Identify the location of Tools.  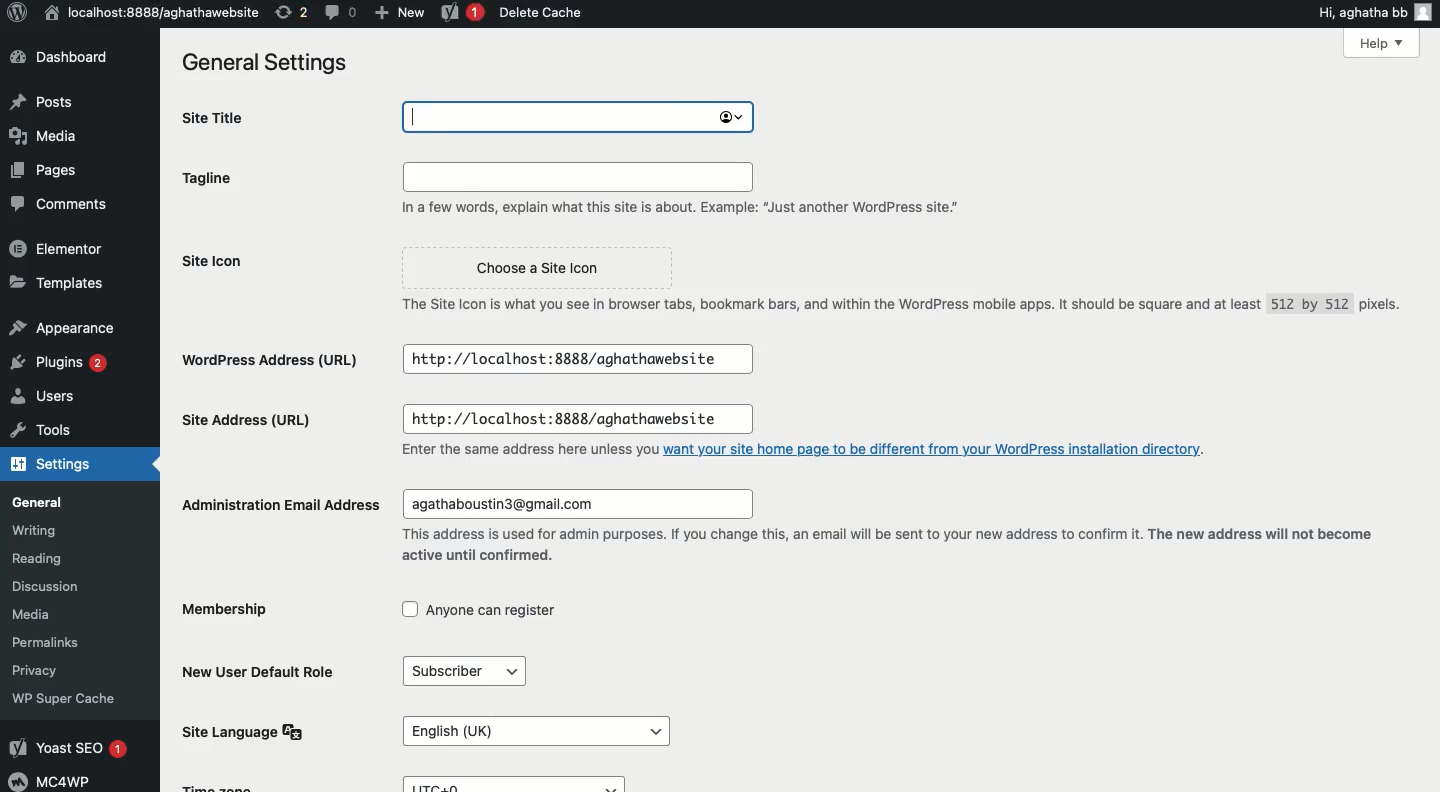
(41, 429).